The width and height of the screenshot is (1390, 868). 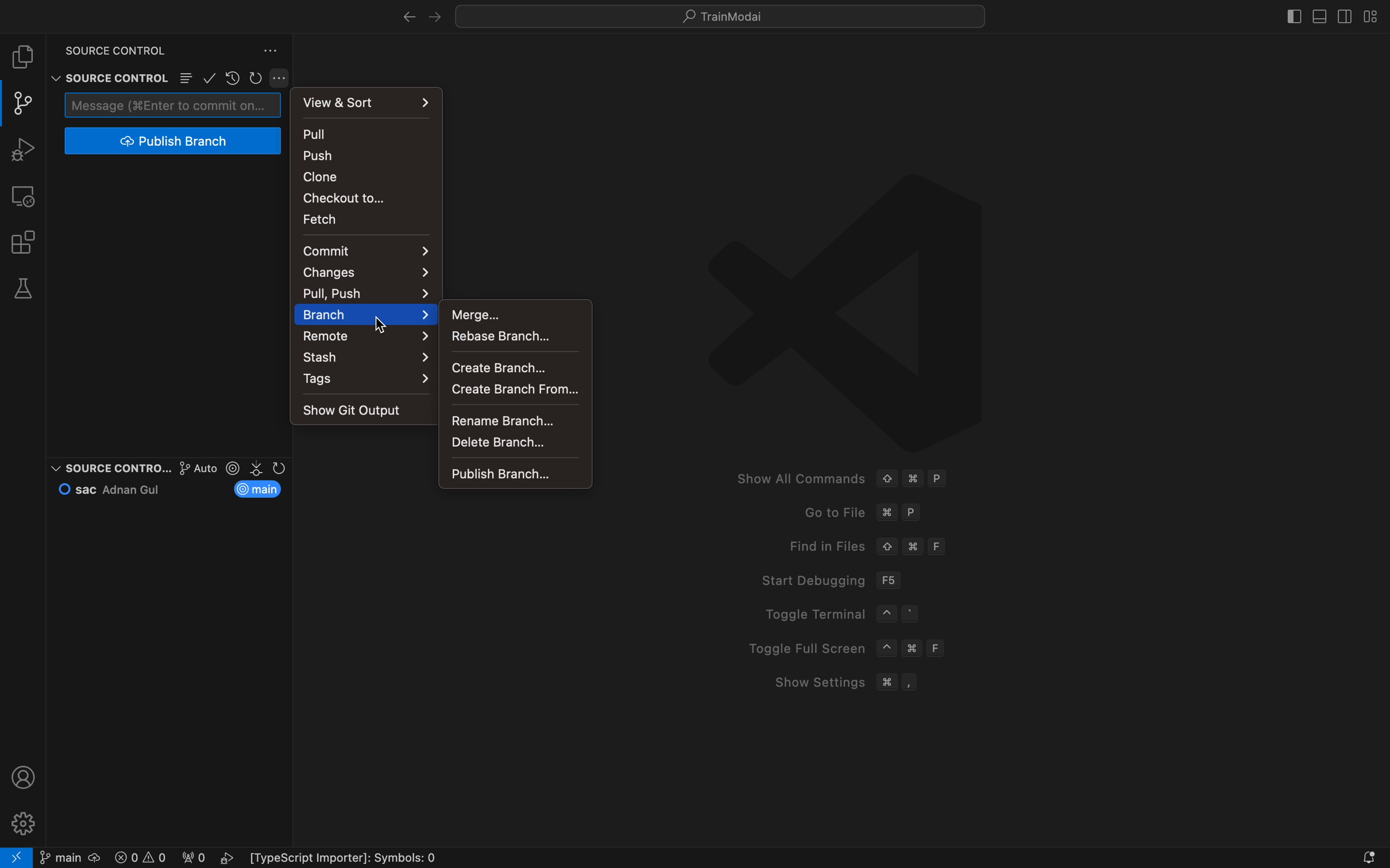 I want to click on rename a branch, so click(x=511, y=420).